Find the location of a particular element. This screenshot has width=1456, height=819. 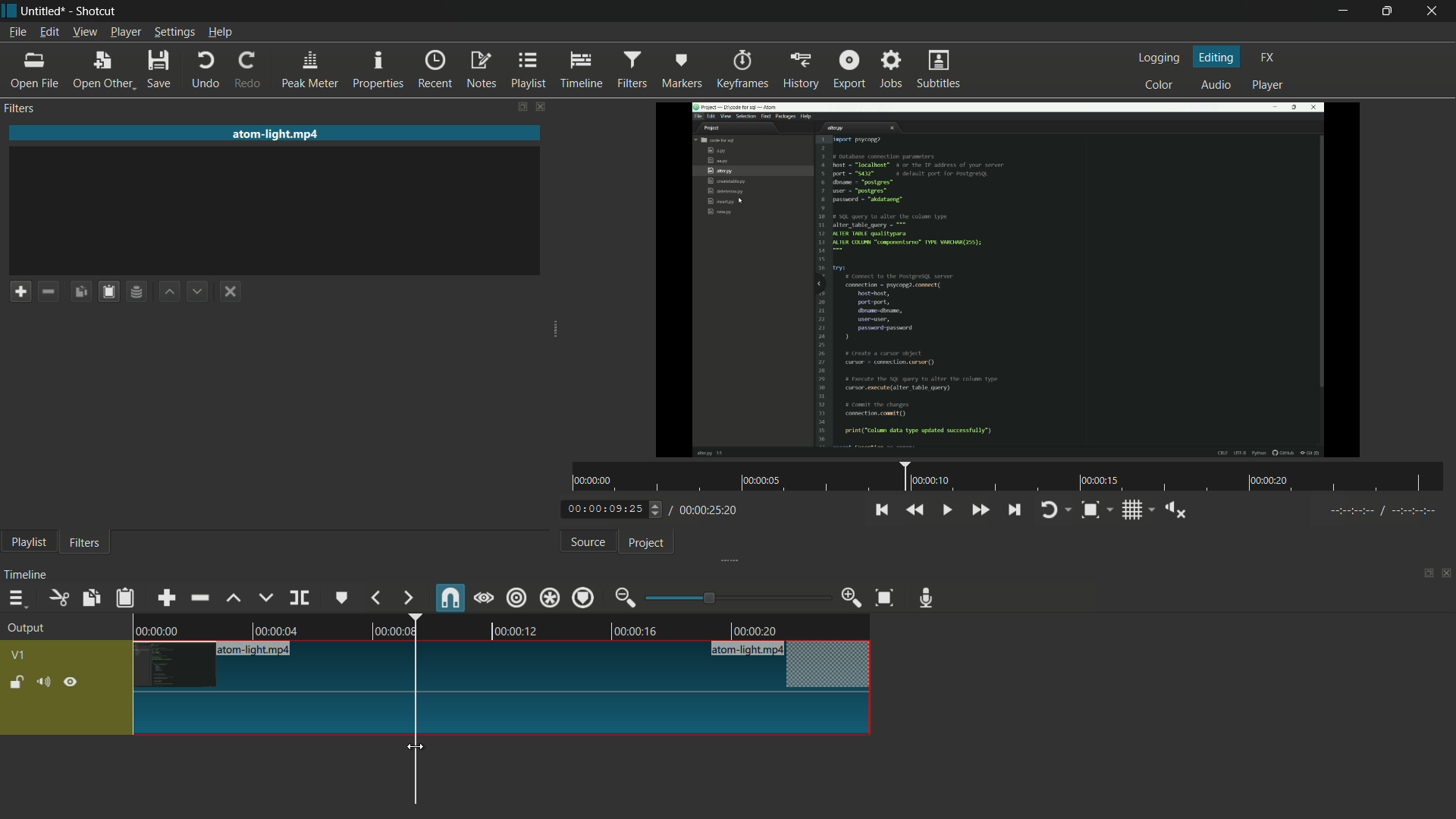

change layout is located at coordinates (1423, 572).